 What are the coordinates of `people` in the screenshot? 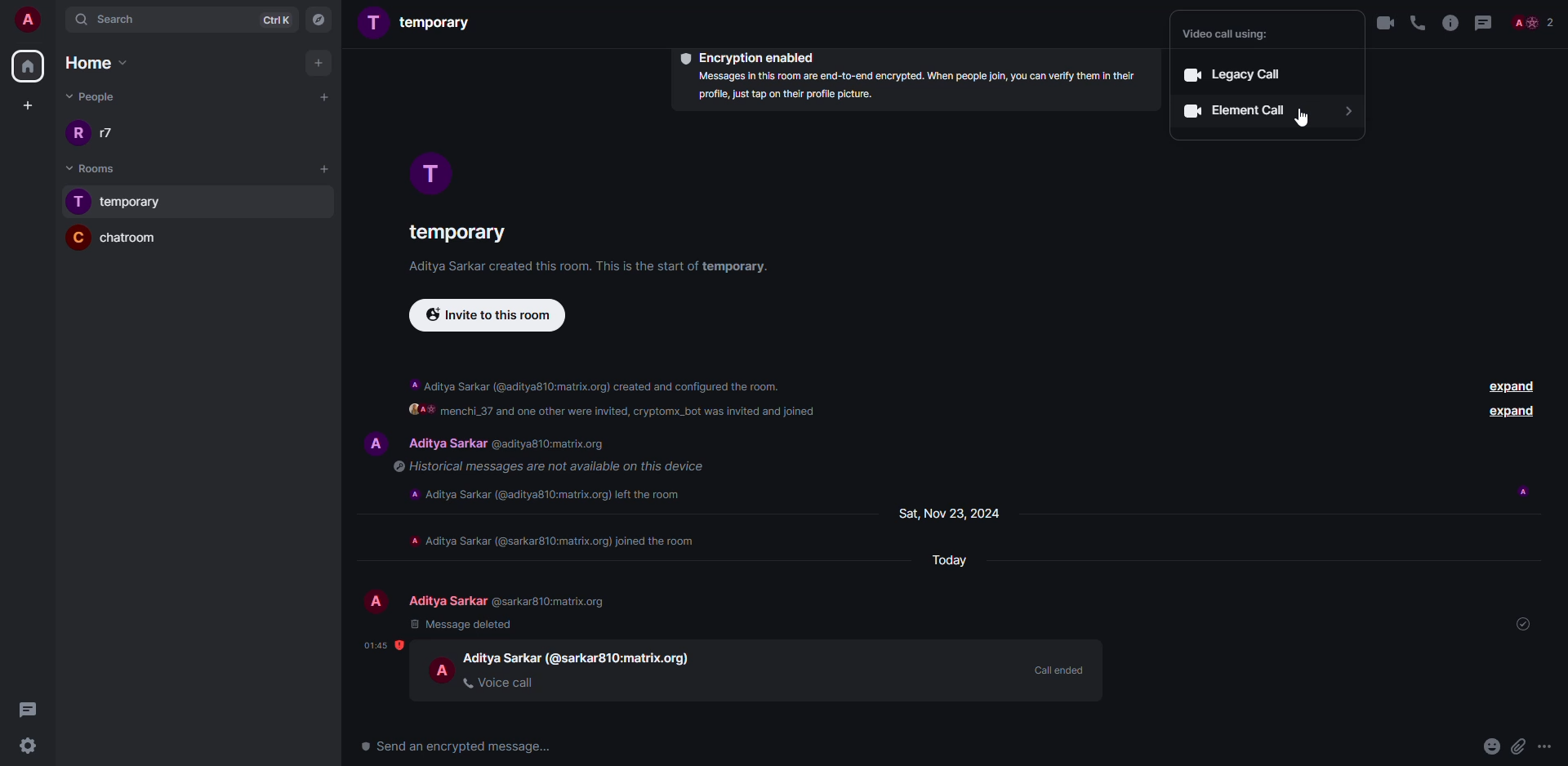 It's located at (1534, 22).